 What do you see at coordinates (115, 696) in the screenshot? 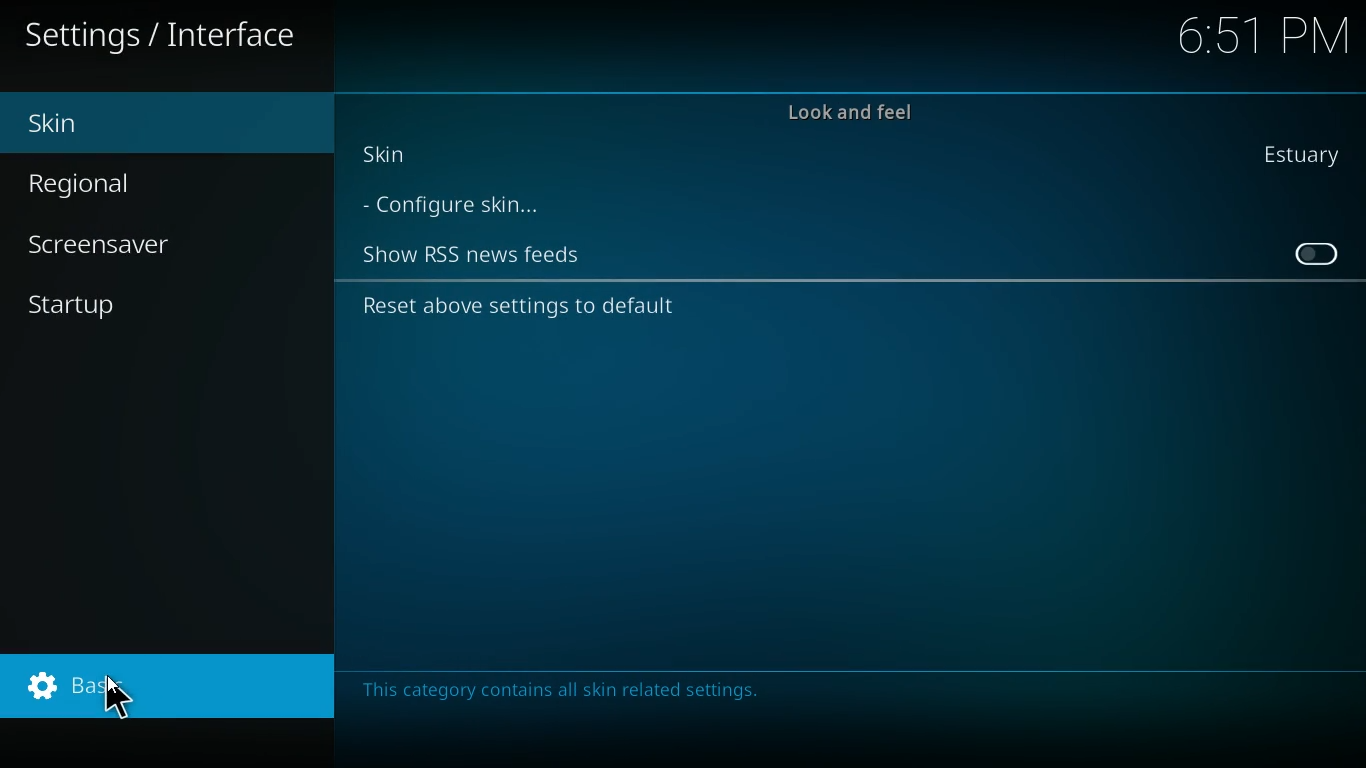
I see `Cursor` at bounding box center [115, 696].